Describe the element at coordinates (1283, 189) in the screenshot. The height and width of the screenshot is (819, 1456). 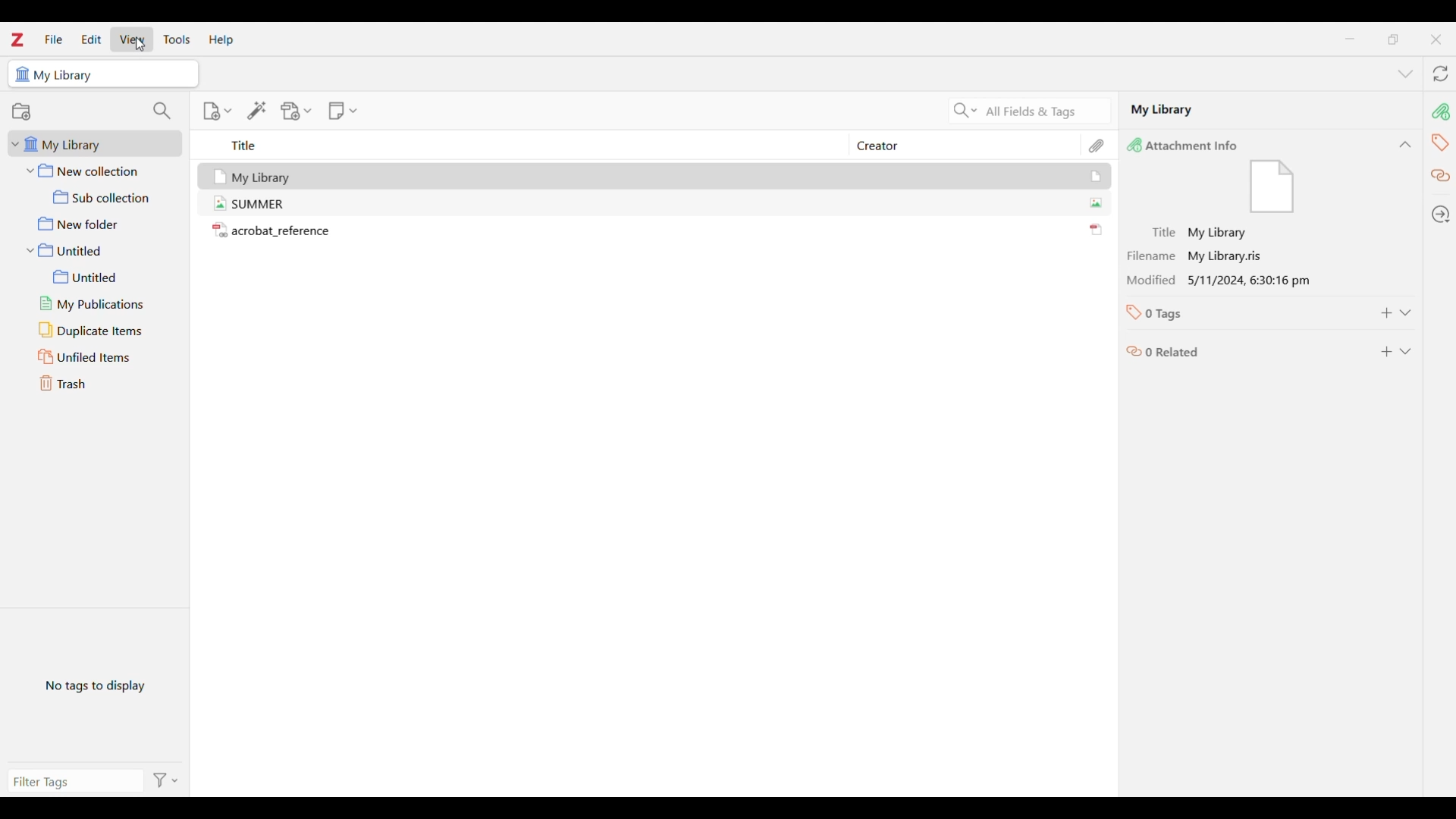
I see `File icon` at that location.